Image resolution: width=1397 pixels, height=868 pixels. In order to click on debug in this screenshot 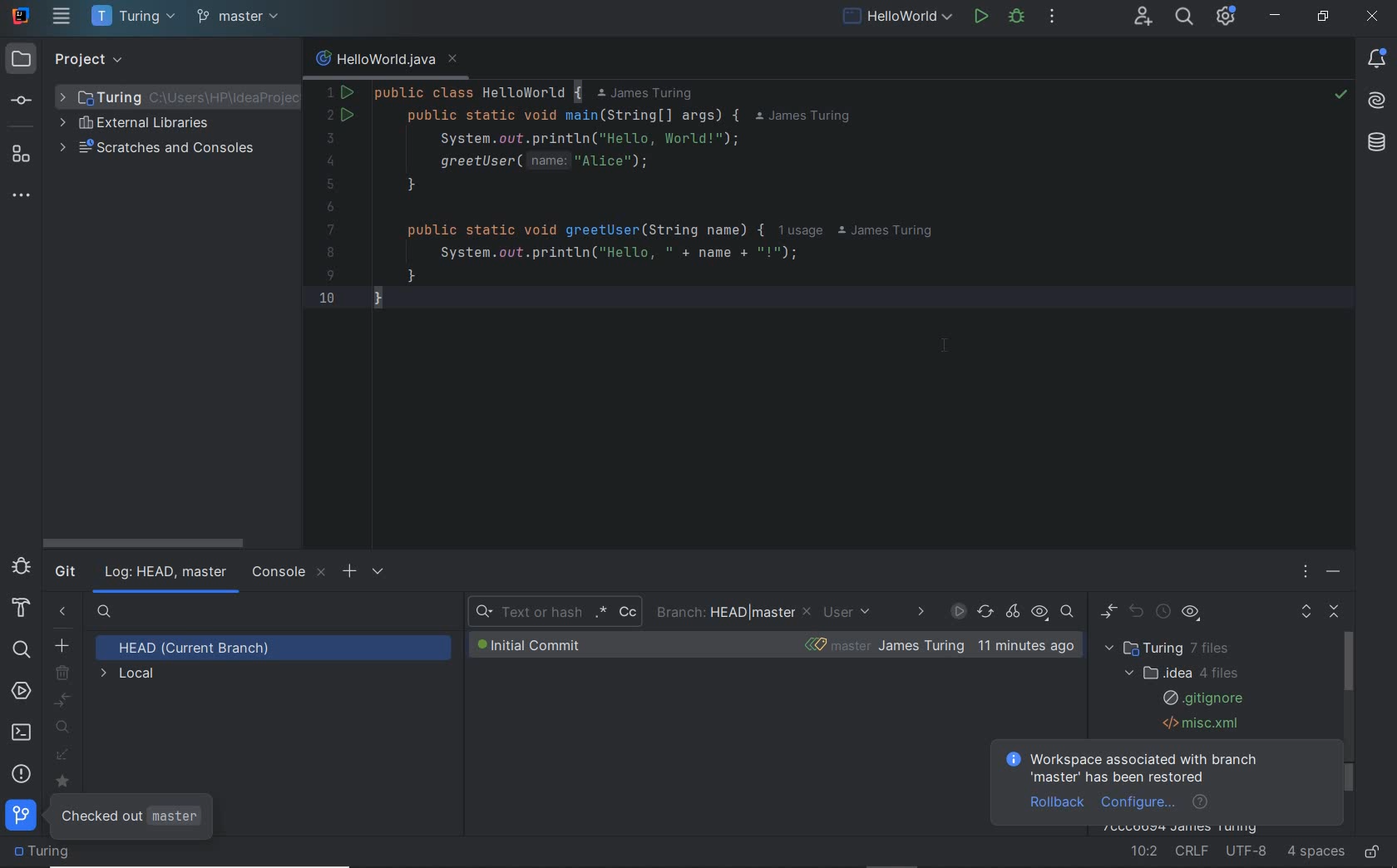, I will do `click(21, 566)`.